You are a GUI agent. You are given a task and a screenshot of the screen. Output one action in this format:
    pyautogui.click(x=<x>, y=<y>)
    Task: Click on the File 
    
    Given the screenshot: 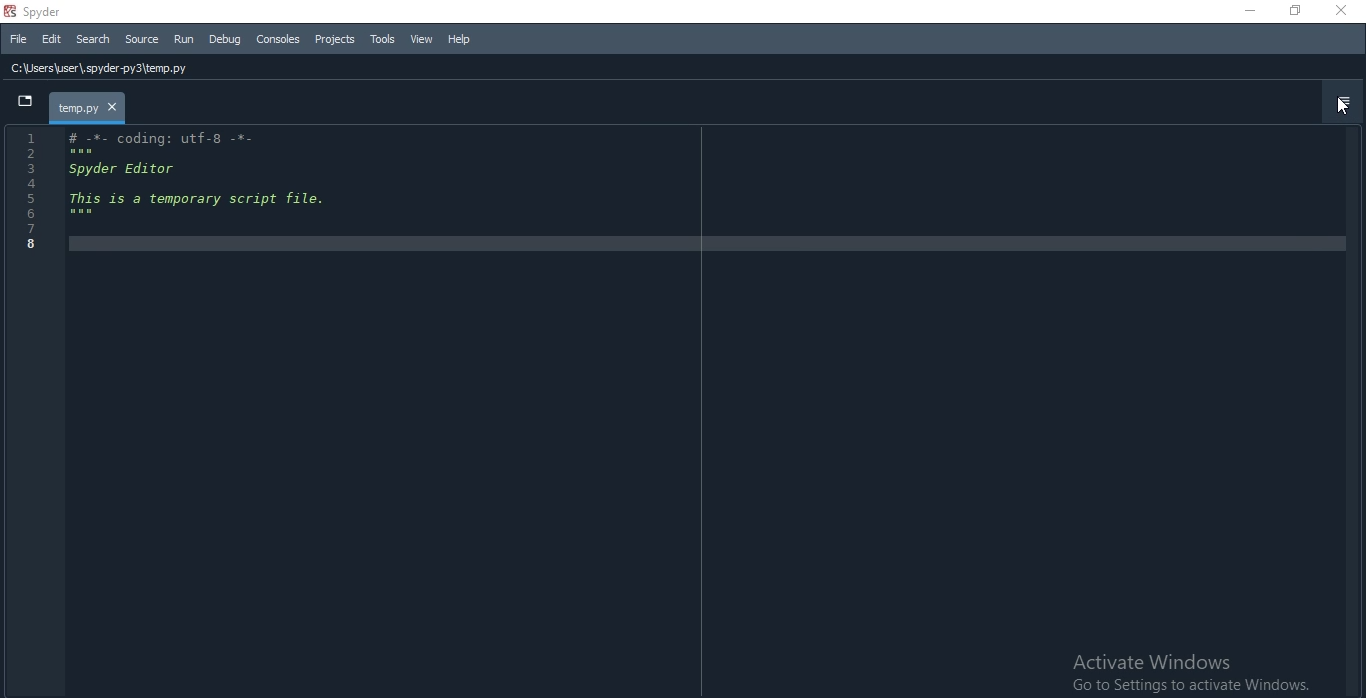 What is the action you would take?
    pyautogui.click(x=18, y=41)
    